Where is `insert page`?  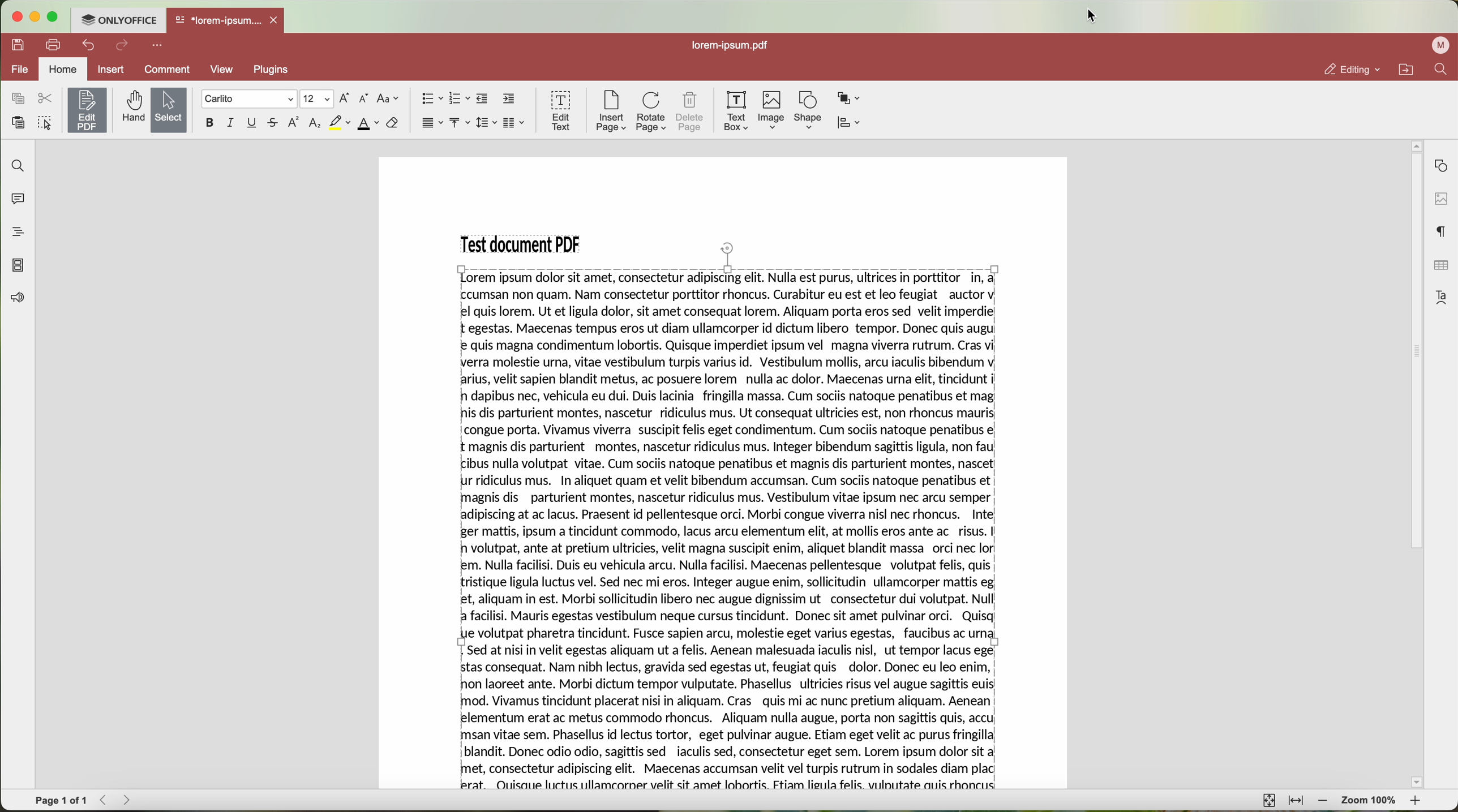 insert page is located at coordinates (612, 112).